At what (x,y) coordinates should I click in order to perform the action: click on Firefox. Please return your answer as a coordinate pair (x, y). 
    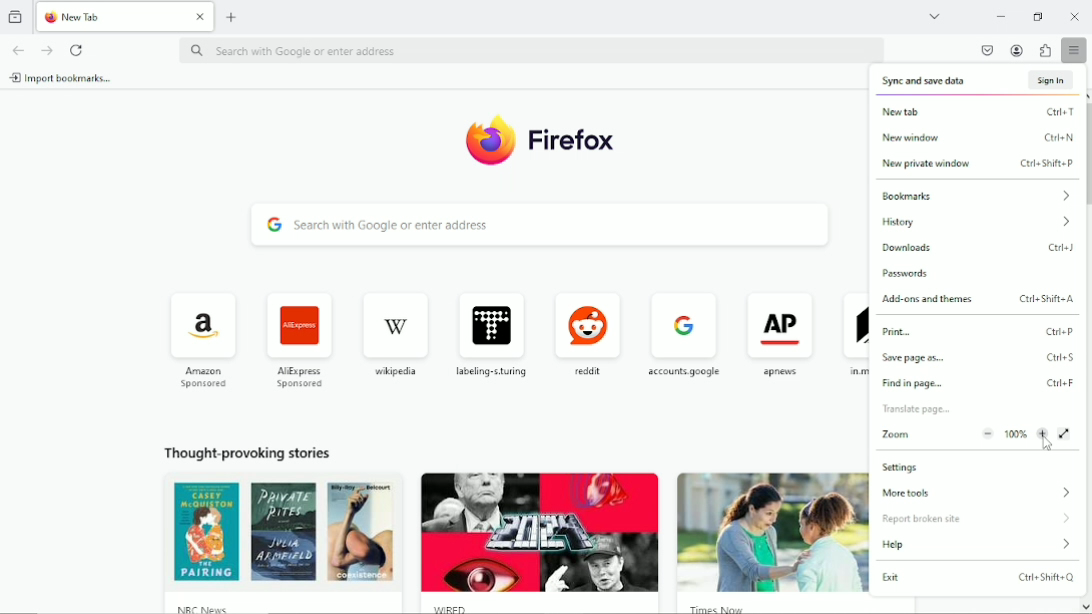
    Looking at the image, I should click on (581, 139).